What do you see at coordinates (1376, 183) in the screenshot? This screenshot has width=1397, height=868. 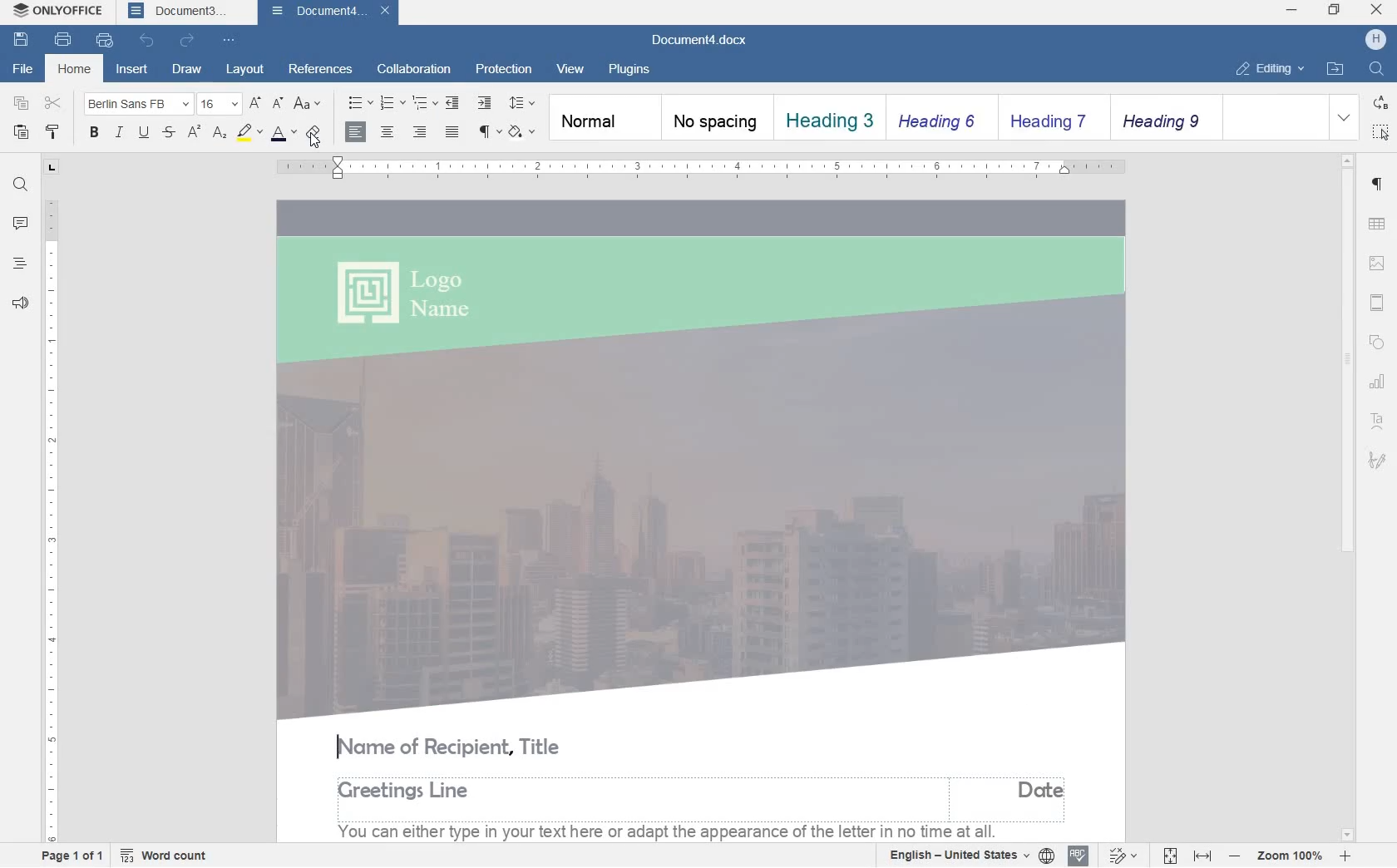 I see `paragraph settings` at bounding box center [1376, 183].